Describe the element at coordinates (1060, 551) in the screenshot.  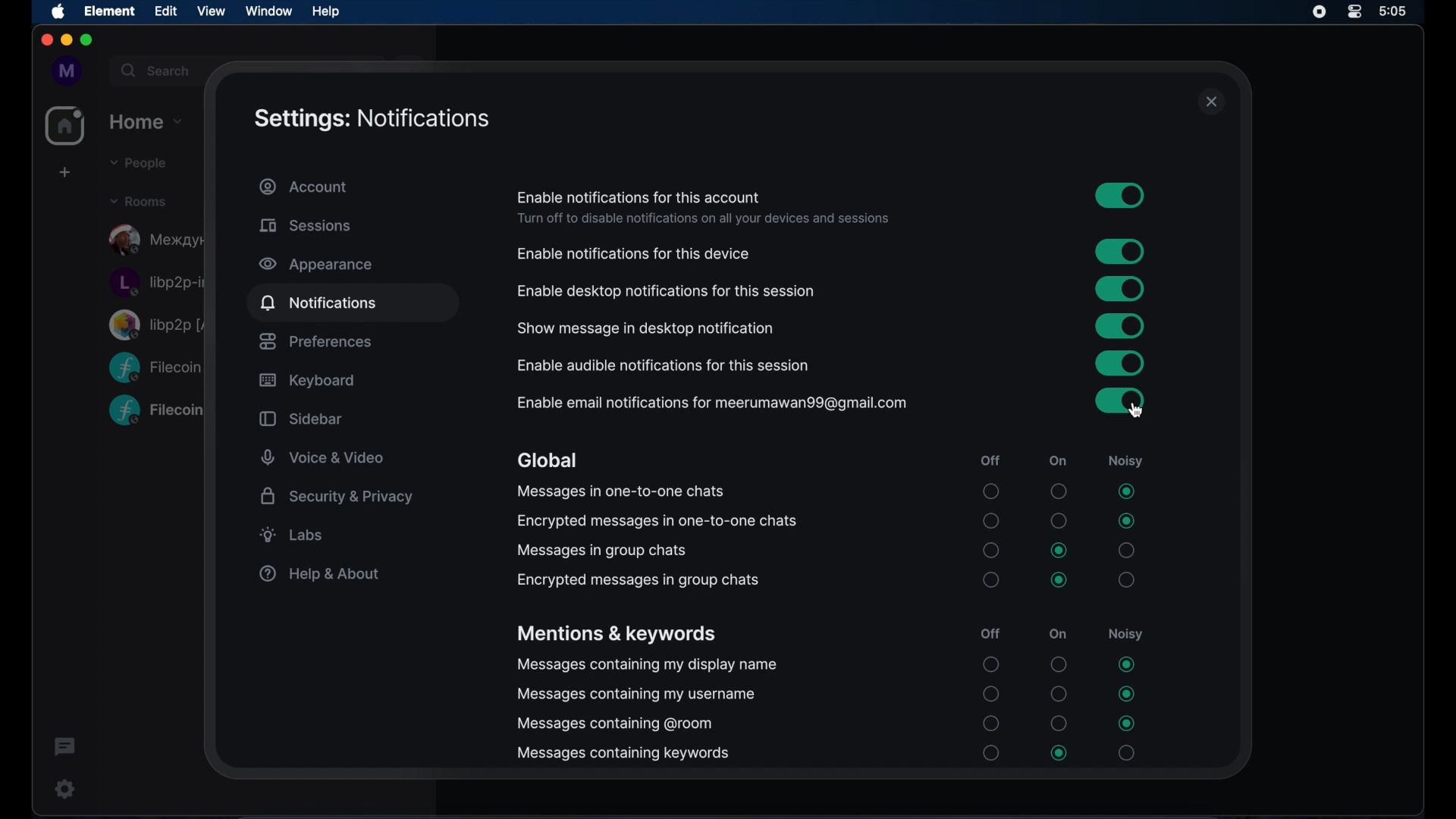
I see `radio button` at that location.